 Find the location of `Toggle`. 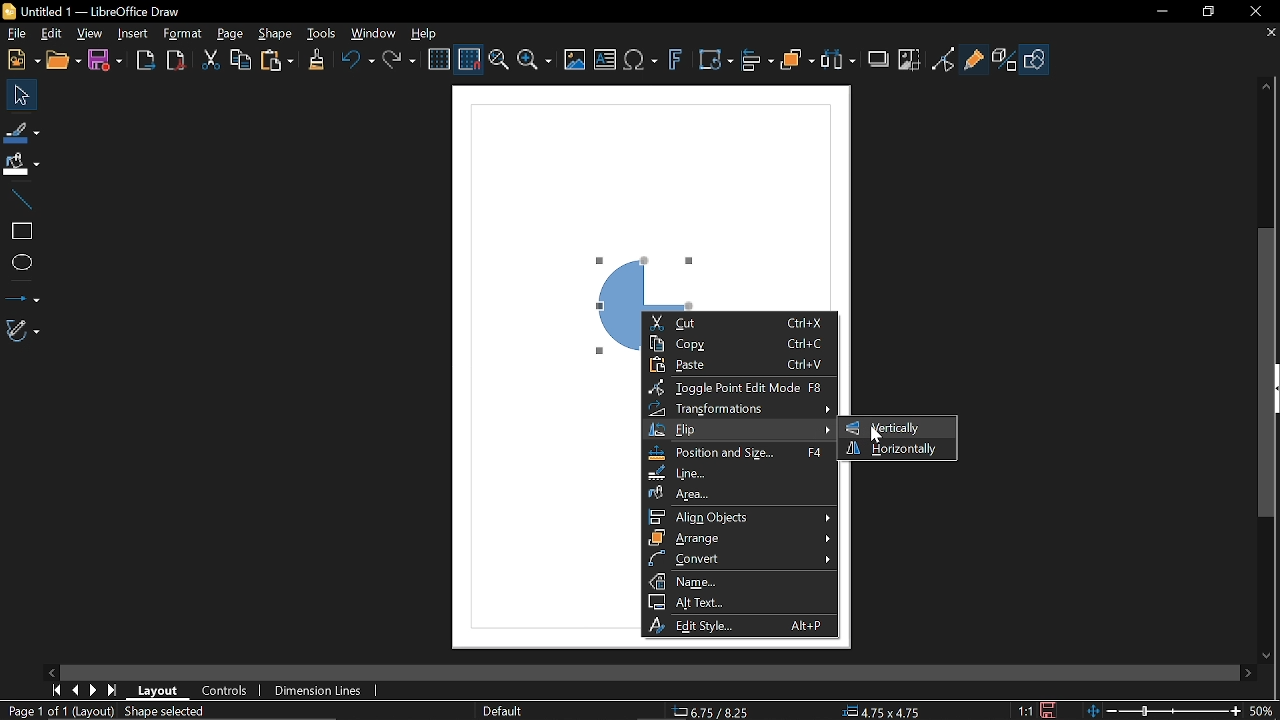

Toggle is located at coordinates (943, 59).